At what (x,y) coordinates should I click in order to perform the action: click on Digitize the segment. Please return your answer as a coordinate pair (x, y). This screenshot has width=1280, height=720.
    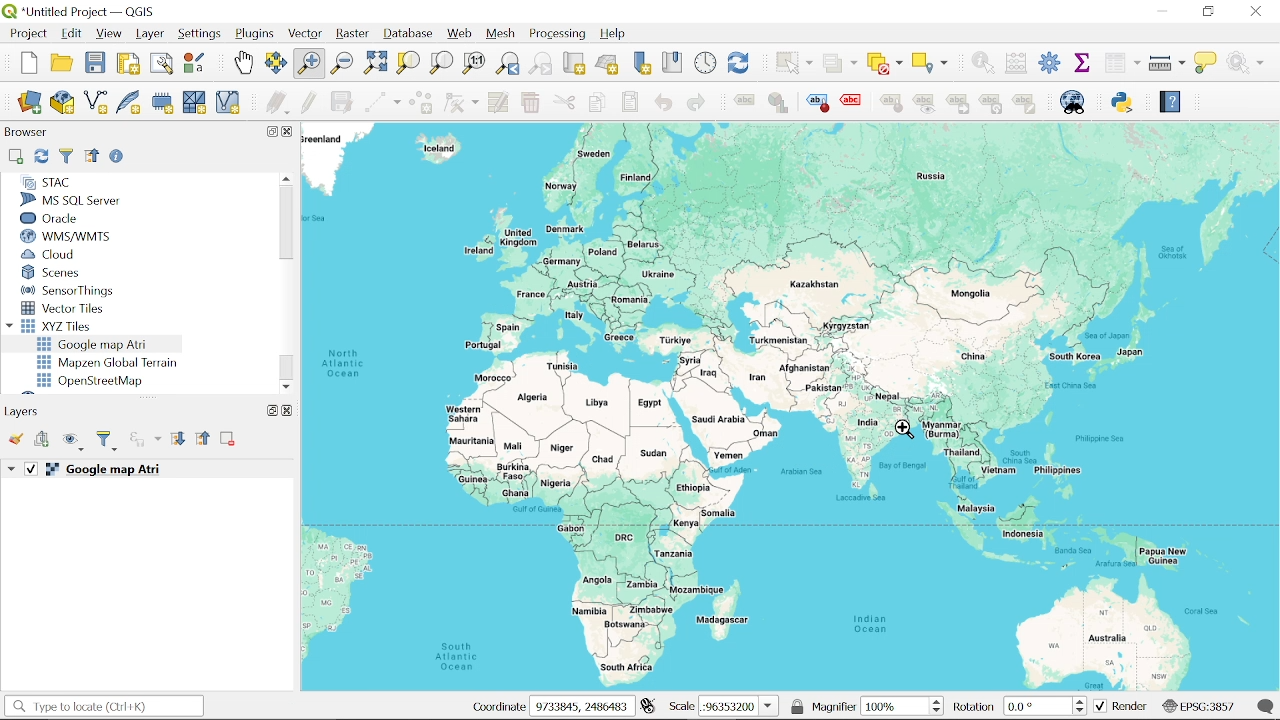
    Looking at the image, I should click on (381, 104).